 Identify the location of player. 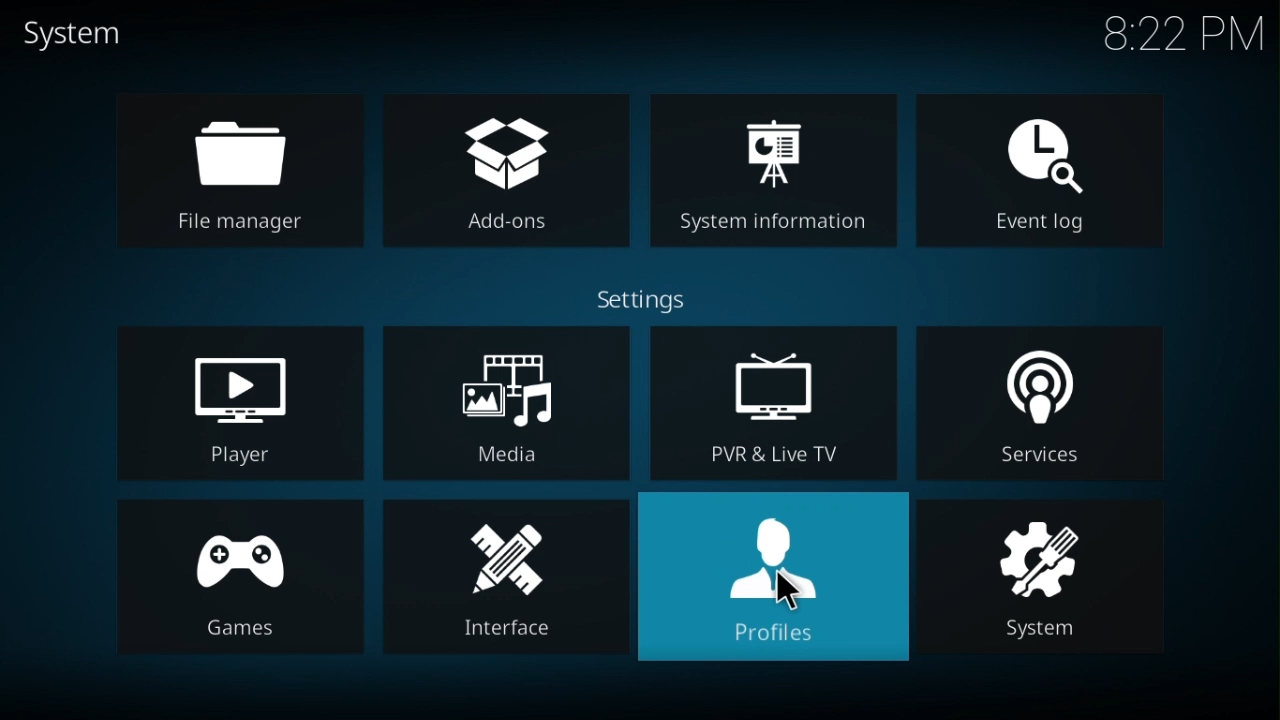
(232, 401).